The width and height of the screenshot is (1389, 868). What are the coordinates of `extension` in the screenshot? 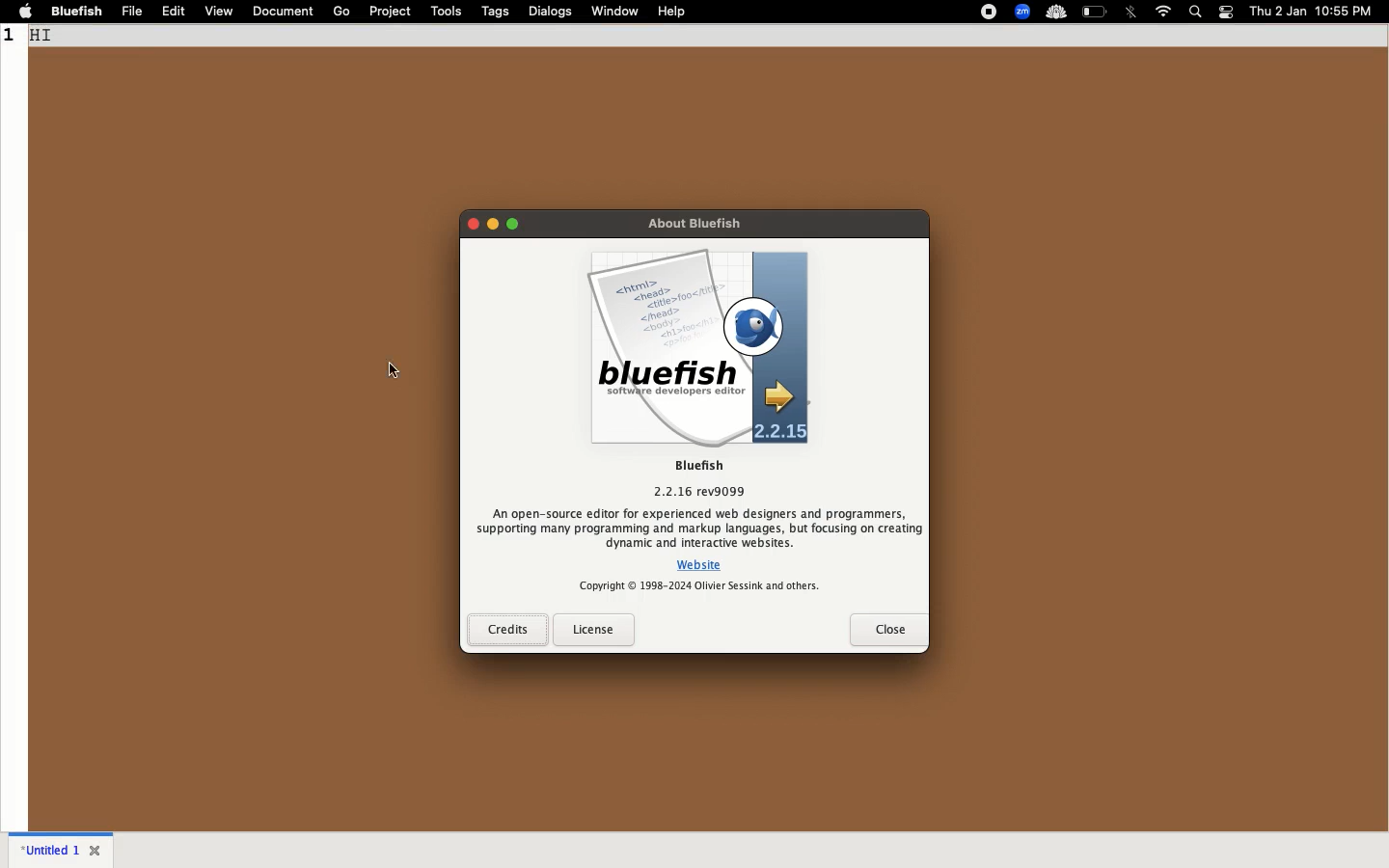 It's located at (1055, 13).